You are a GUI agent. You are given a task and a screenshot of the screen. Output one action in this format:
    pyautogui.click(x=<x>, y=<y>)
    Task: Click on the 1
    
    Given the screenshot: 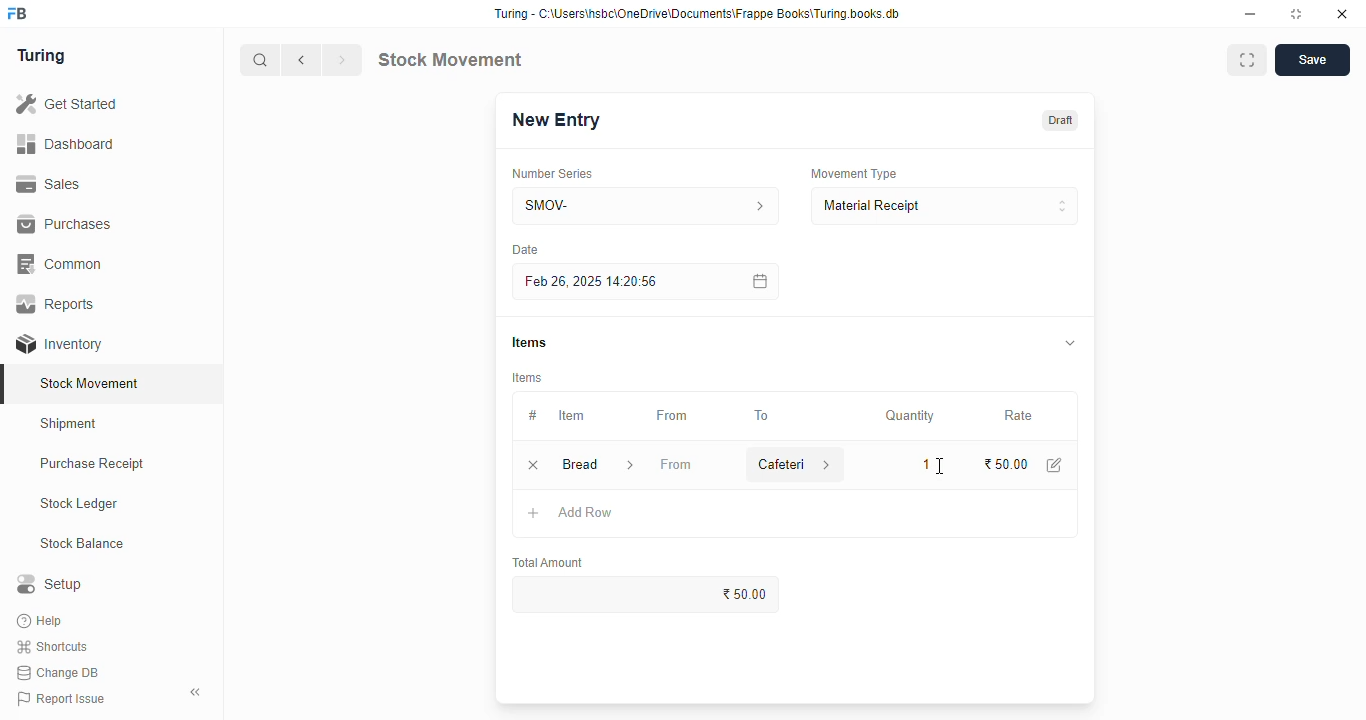 What is the action you would take?
    pyautogui.click(x=922, y=463)
    